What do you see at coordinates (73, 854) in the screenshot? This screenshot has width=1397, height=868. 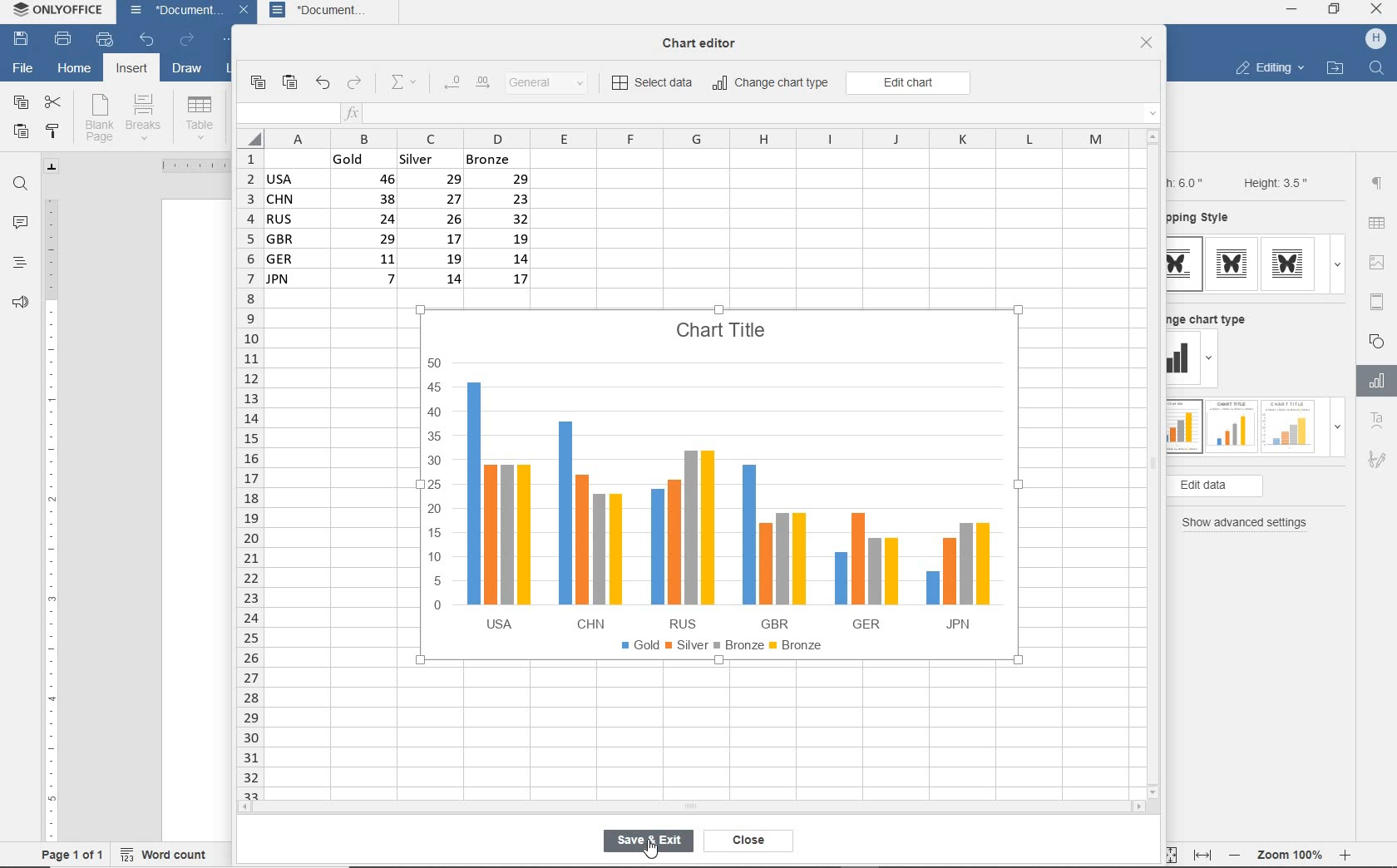 I see `page 1 of 1` at bounding box center [73, 854].